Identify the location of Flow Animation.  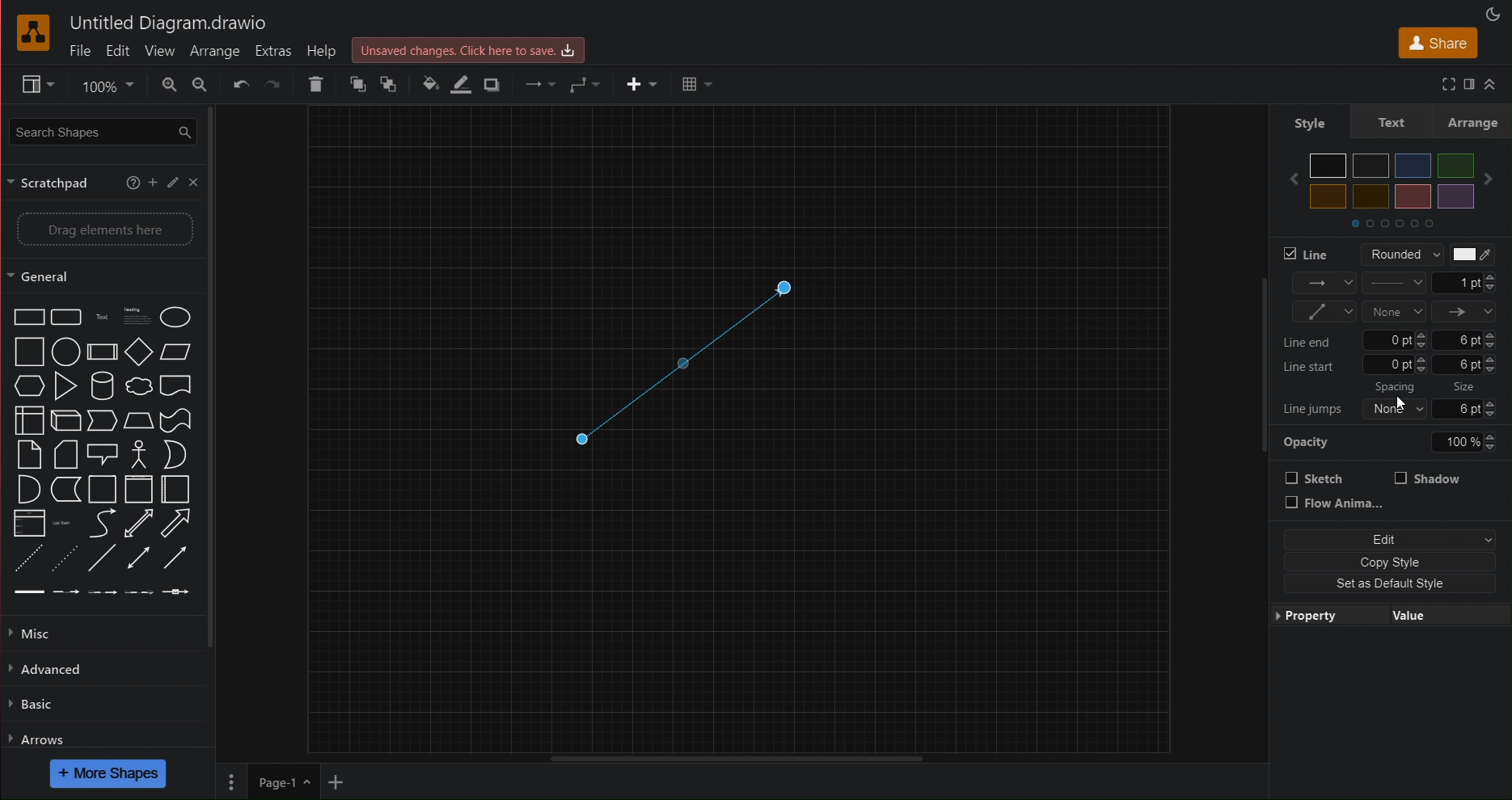
(1336, 504).